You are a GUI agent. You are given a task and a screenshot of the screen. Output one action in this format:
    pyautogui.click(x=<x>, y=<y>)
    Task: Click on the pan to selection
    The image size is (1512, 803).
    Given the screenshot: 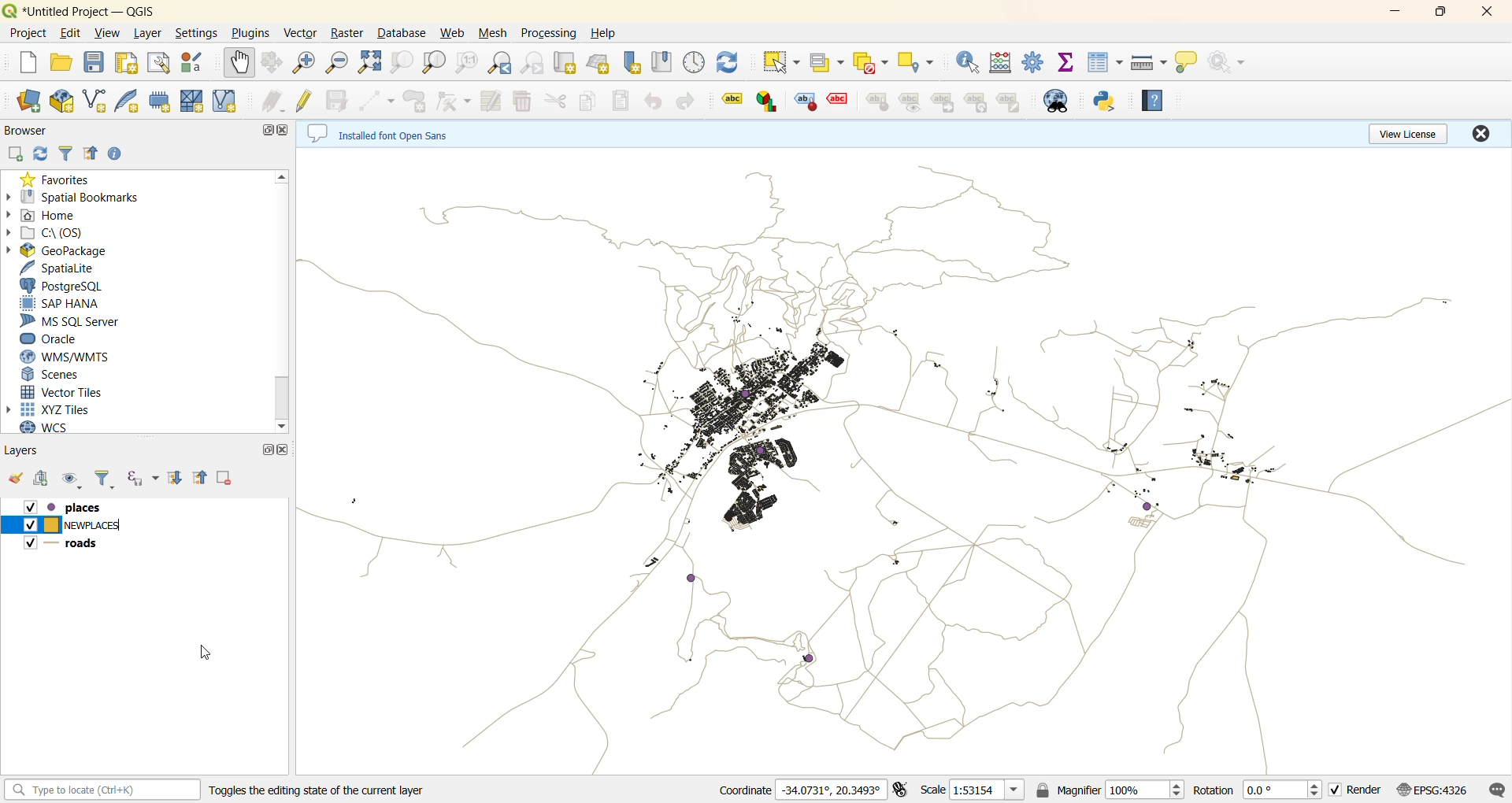 What is the action you would take?
    pyautogui.click(x=276, y=64)
    